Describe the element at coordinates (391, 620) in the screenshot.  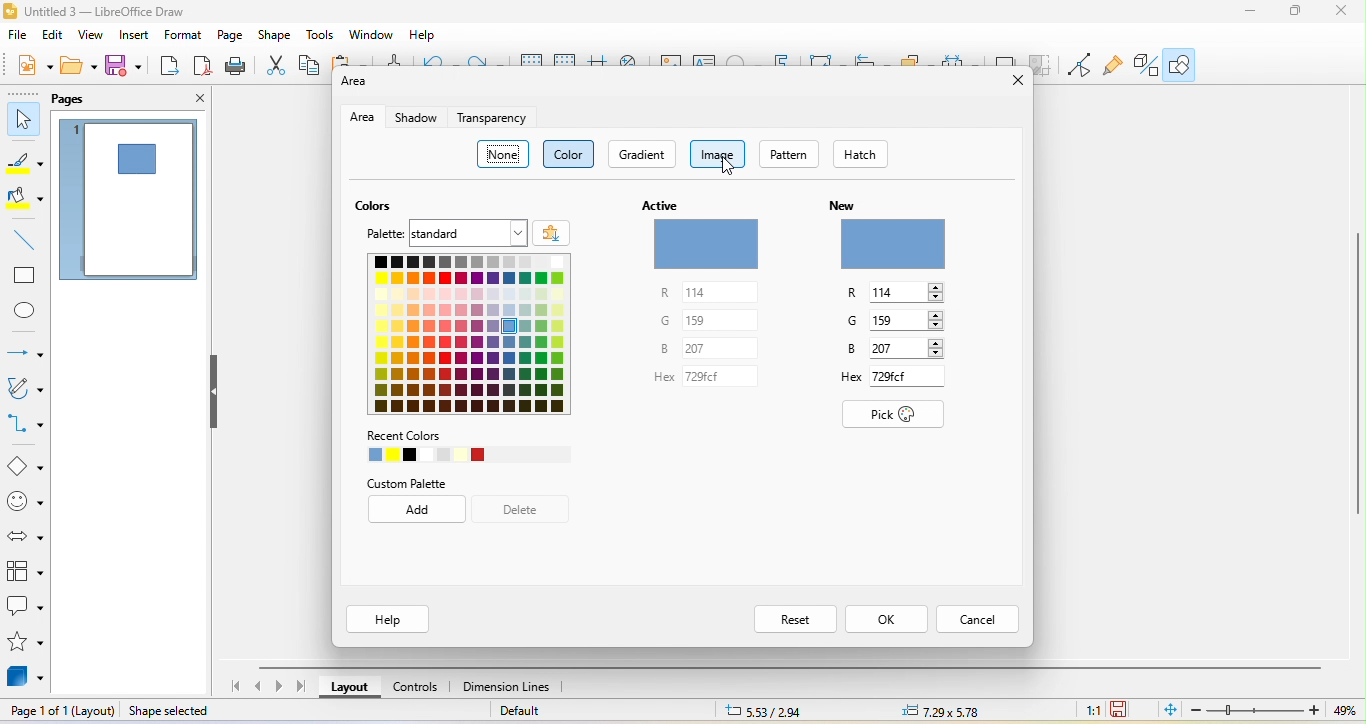
I see `help` at that location.